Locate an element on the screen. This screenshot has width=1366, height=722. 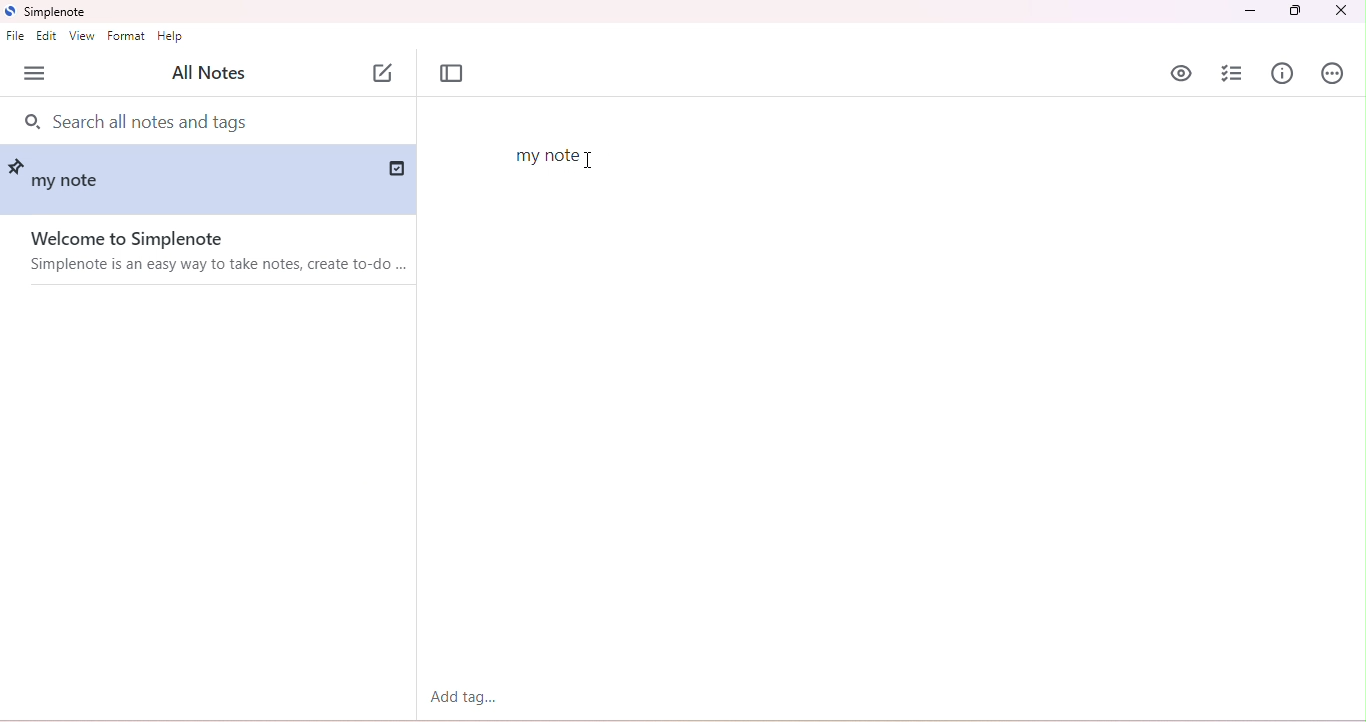
all notes is located at coordinates (213, 72).